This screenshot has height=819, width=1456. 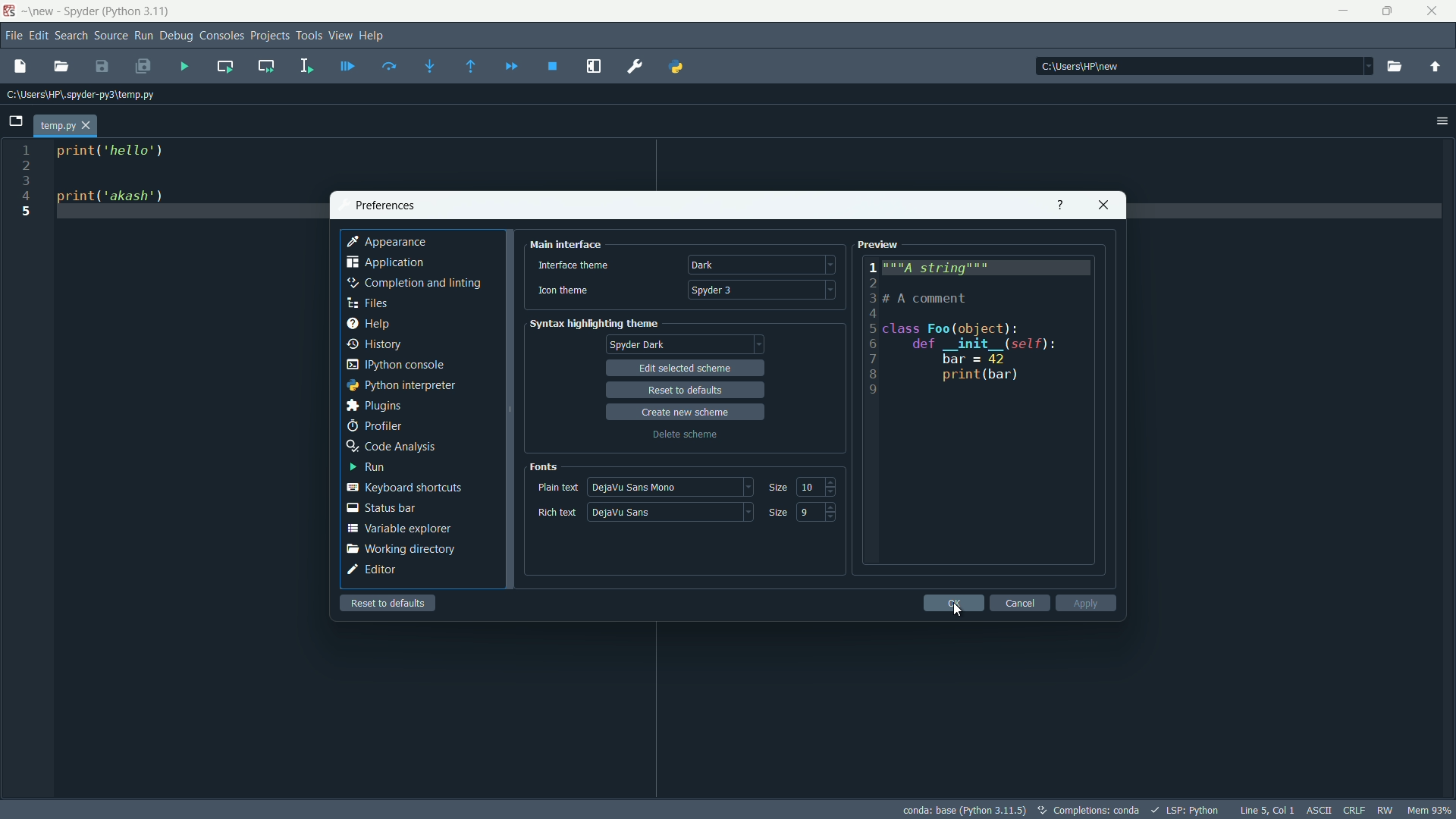 I want to click on browse directory, so click(x=1393, y=67).